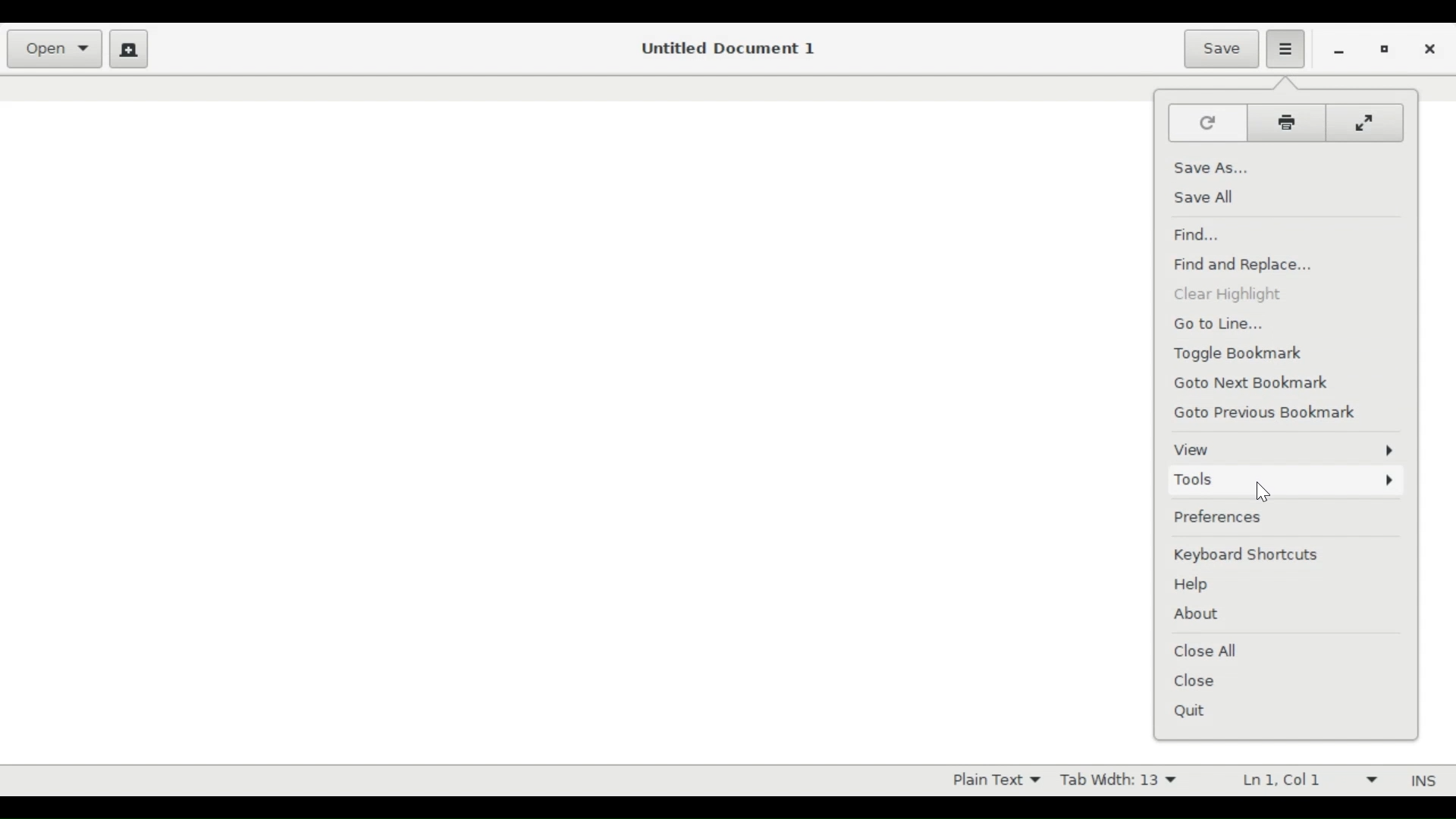 Image resolution: width=1456 pixels, height=819 pixels. What do you see at coordinates (1336, 51) in the screenshot?
I see `minimize` at bounding box center [1336, 51].